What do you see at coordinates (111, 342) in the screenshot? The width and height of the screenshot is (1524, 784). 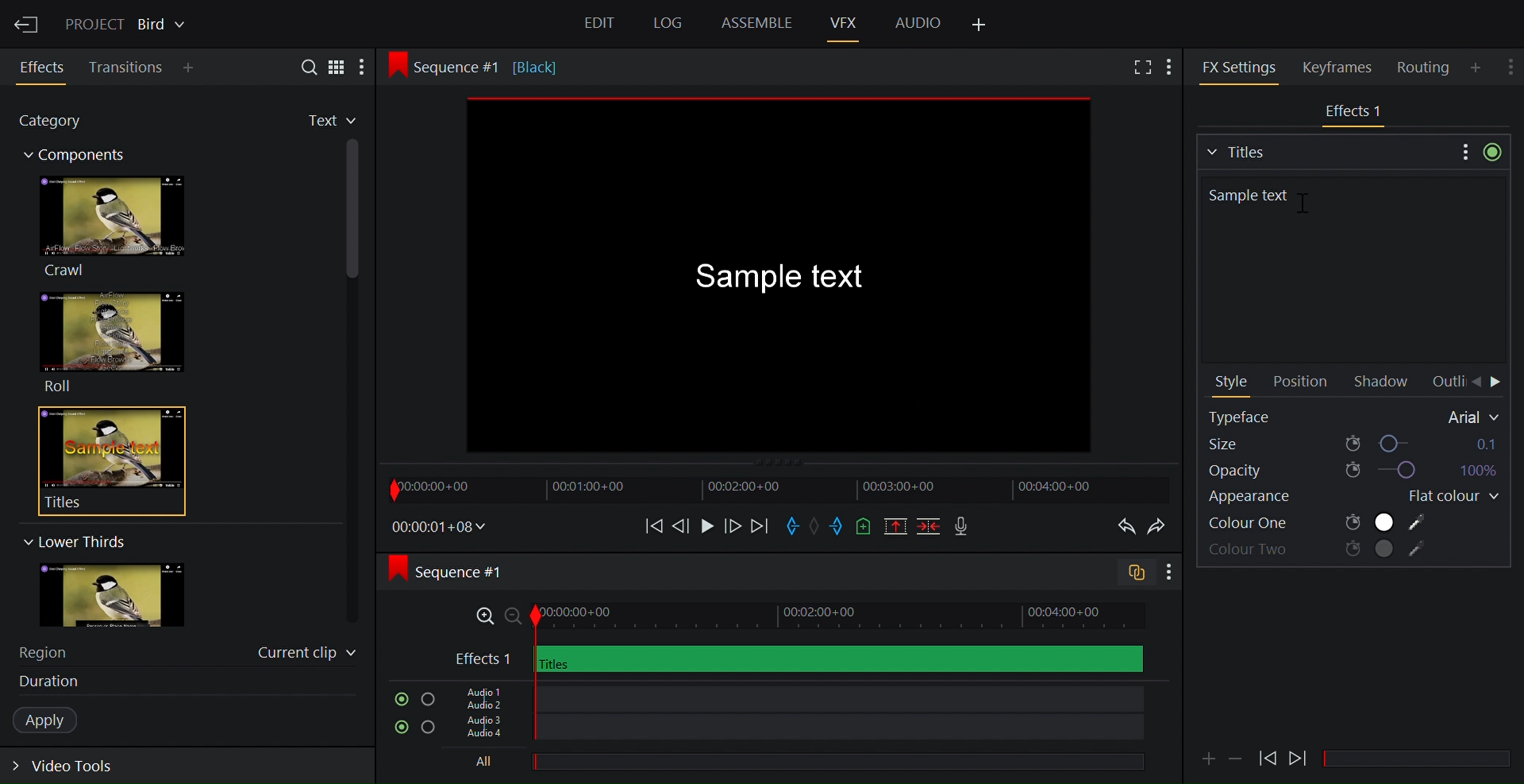 I see `Roll` at bounding box center [111, 342].